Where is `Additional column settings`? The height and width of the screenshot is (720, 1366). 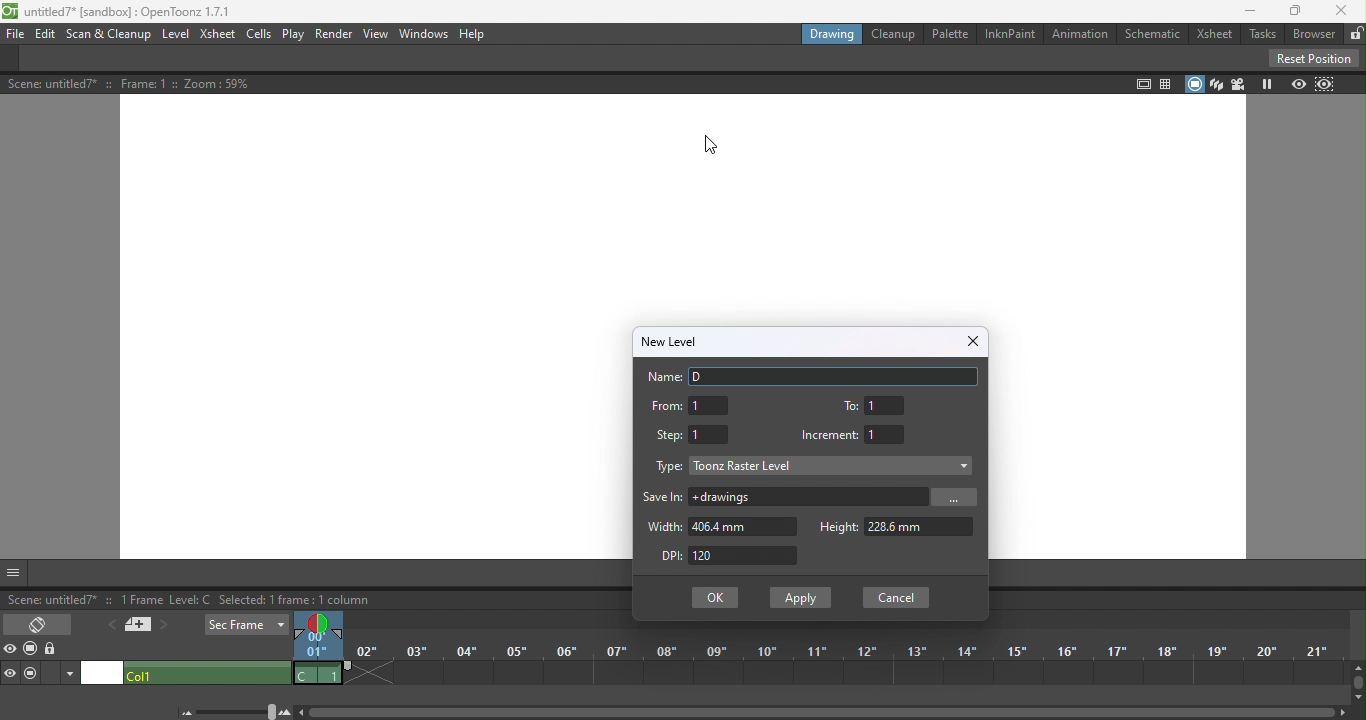
Additional column settings is located at coordinates (71, 673).